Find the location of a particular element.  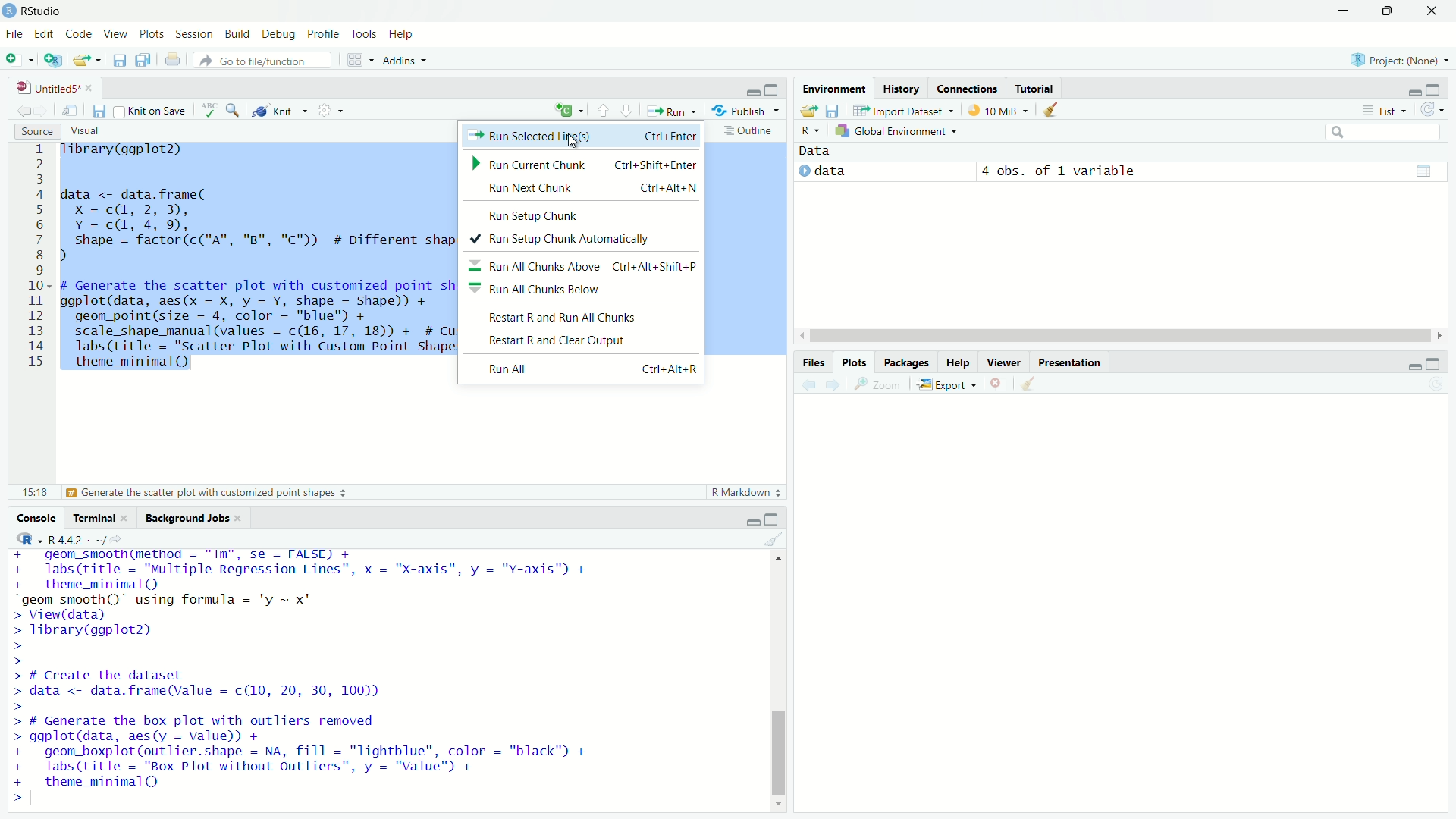

Outline is located at coordinates (749, 130).